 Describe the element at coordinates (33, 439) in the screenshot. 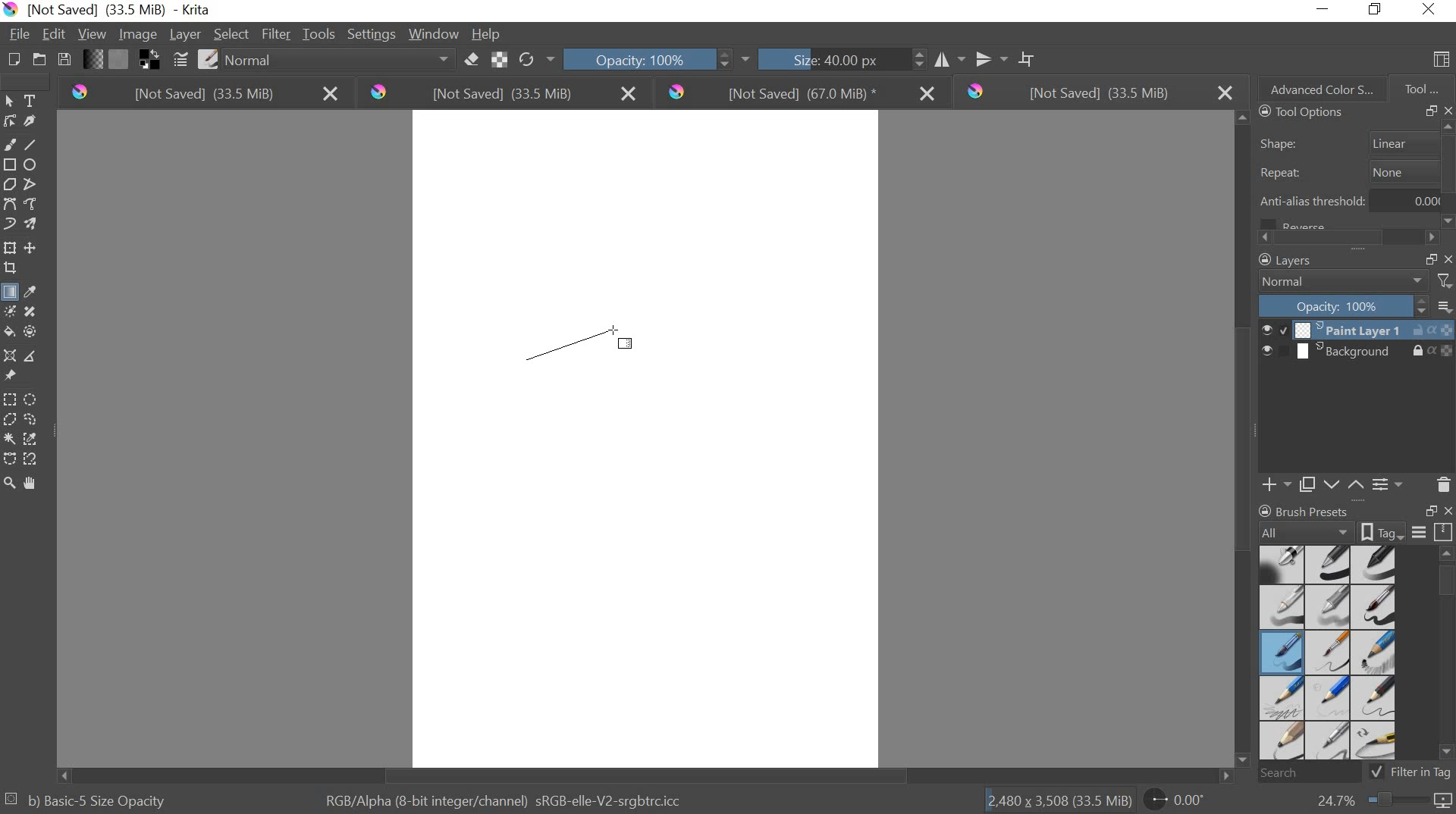

I see `similar color selection` at that location.